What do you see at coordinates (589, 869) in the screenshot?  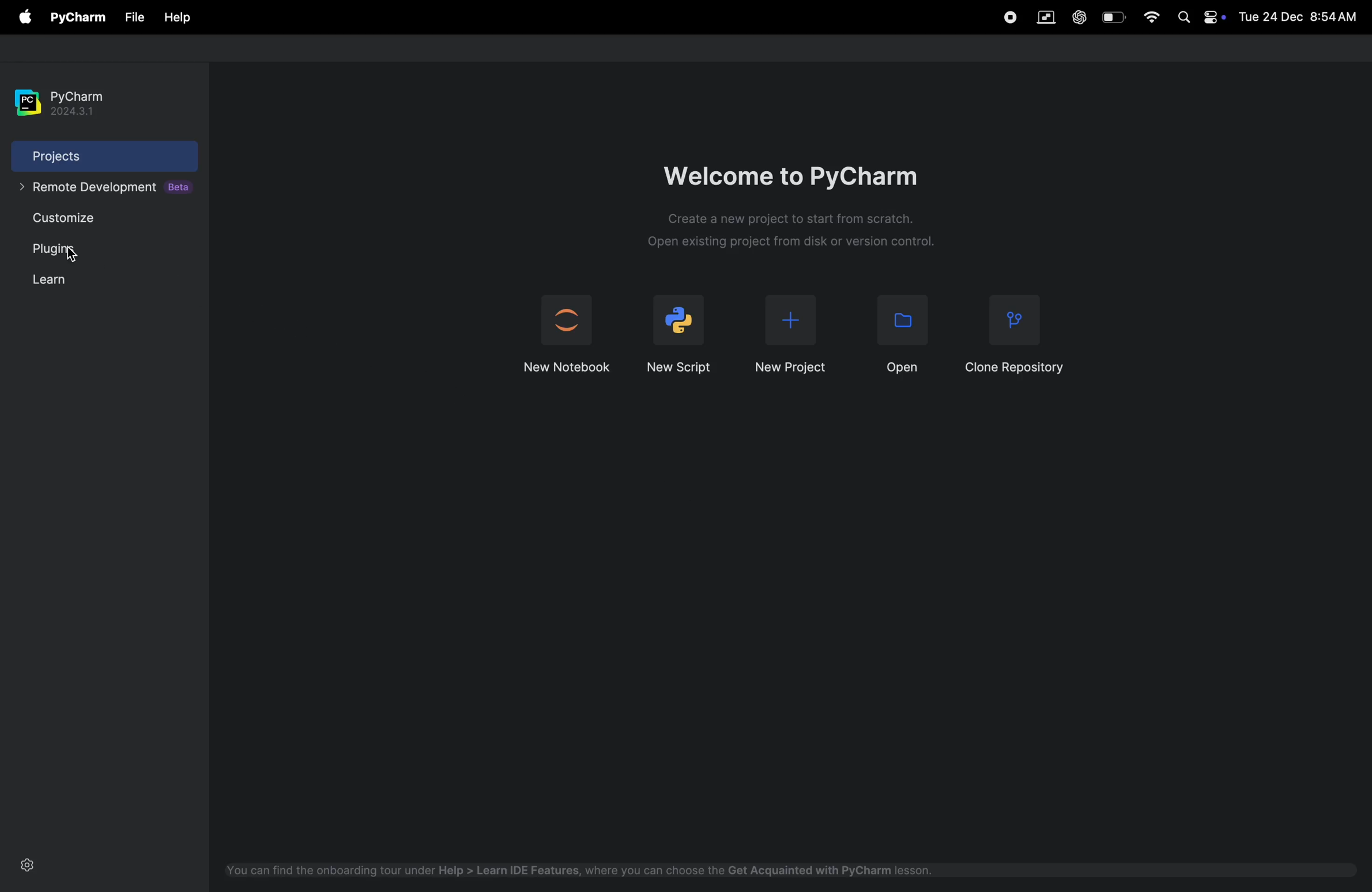 I see `learn ide features ` at bounding box center [589, 869].